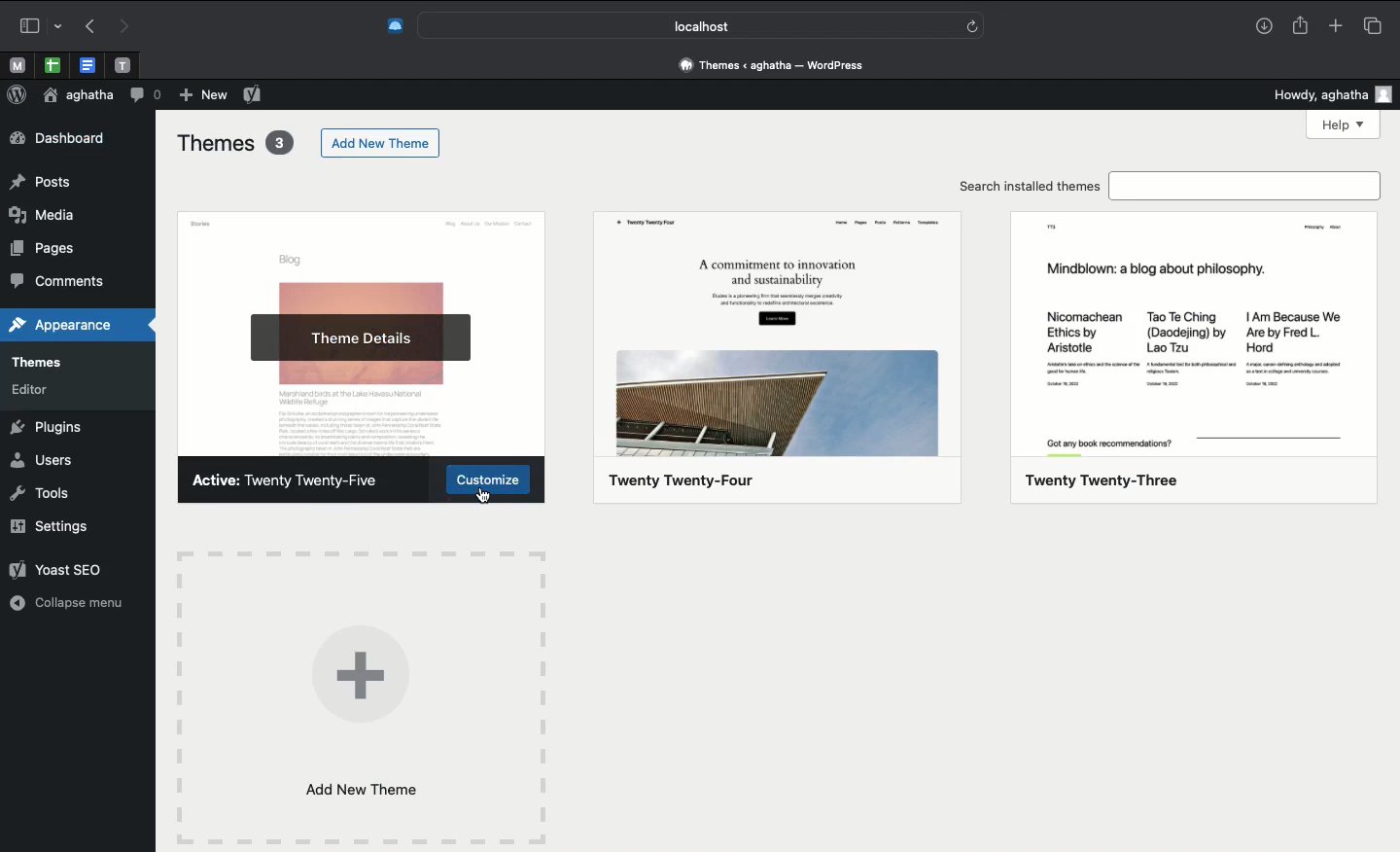 The height and width of the screenshot is (852, 1400). Describe the element at coordinates (14, 95) in the screenshot. I see `Logo` at that location.